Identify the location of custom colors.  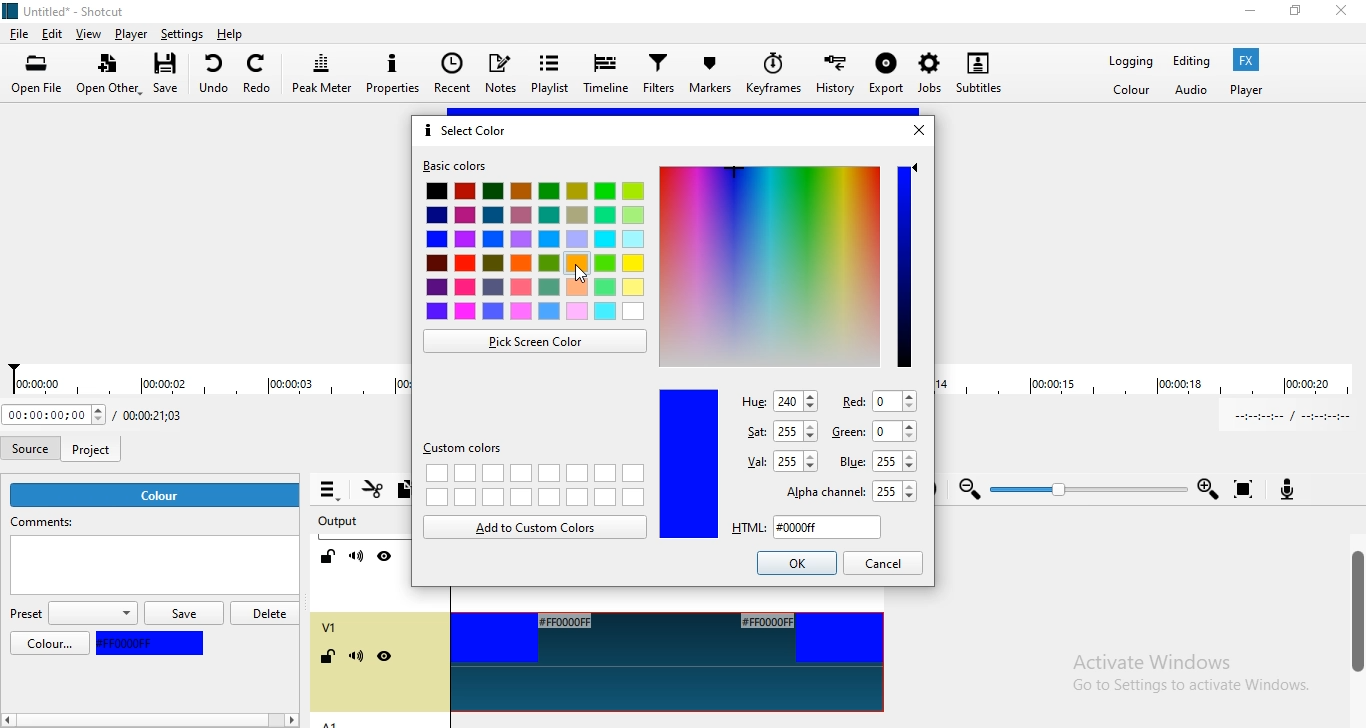
(471, 449).